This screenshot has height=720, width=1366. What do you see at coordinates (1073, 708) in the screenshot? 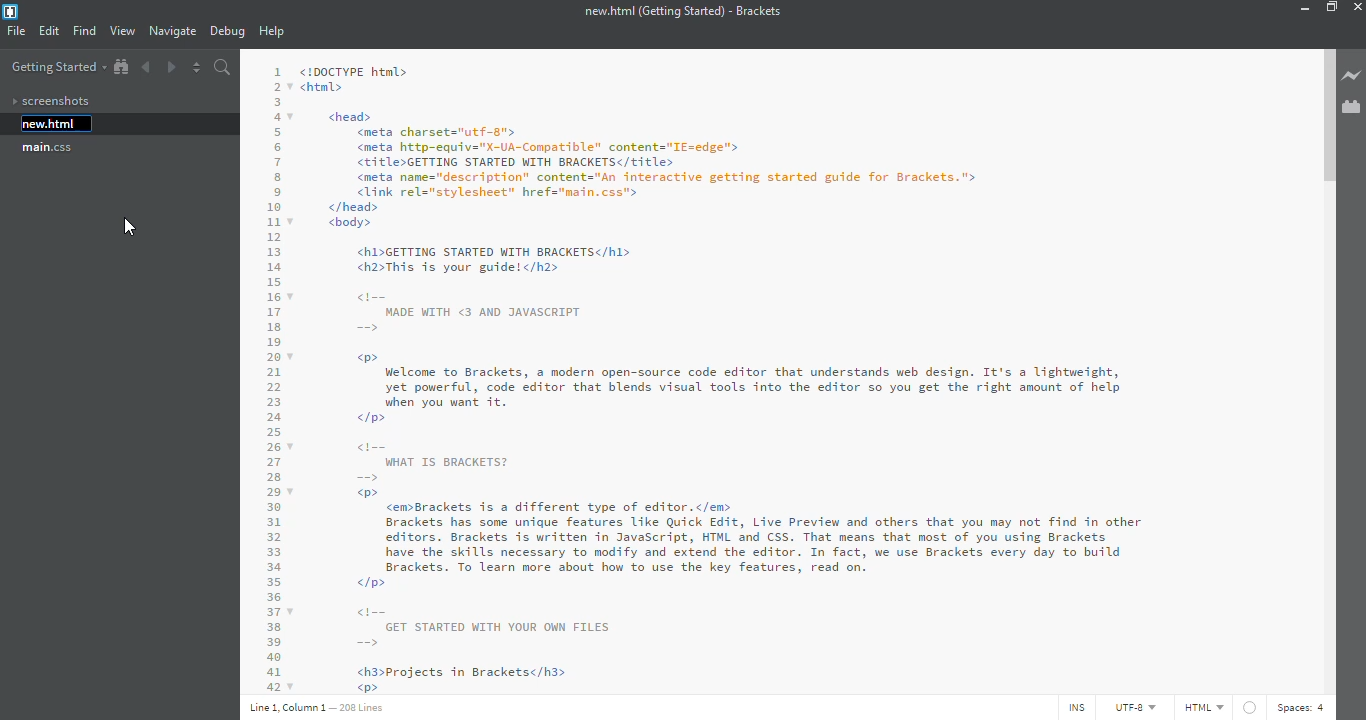
I see `ins` at bounding box center [1073, 708].